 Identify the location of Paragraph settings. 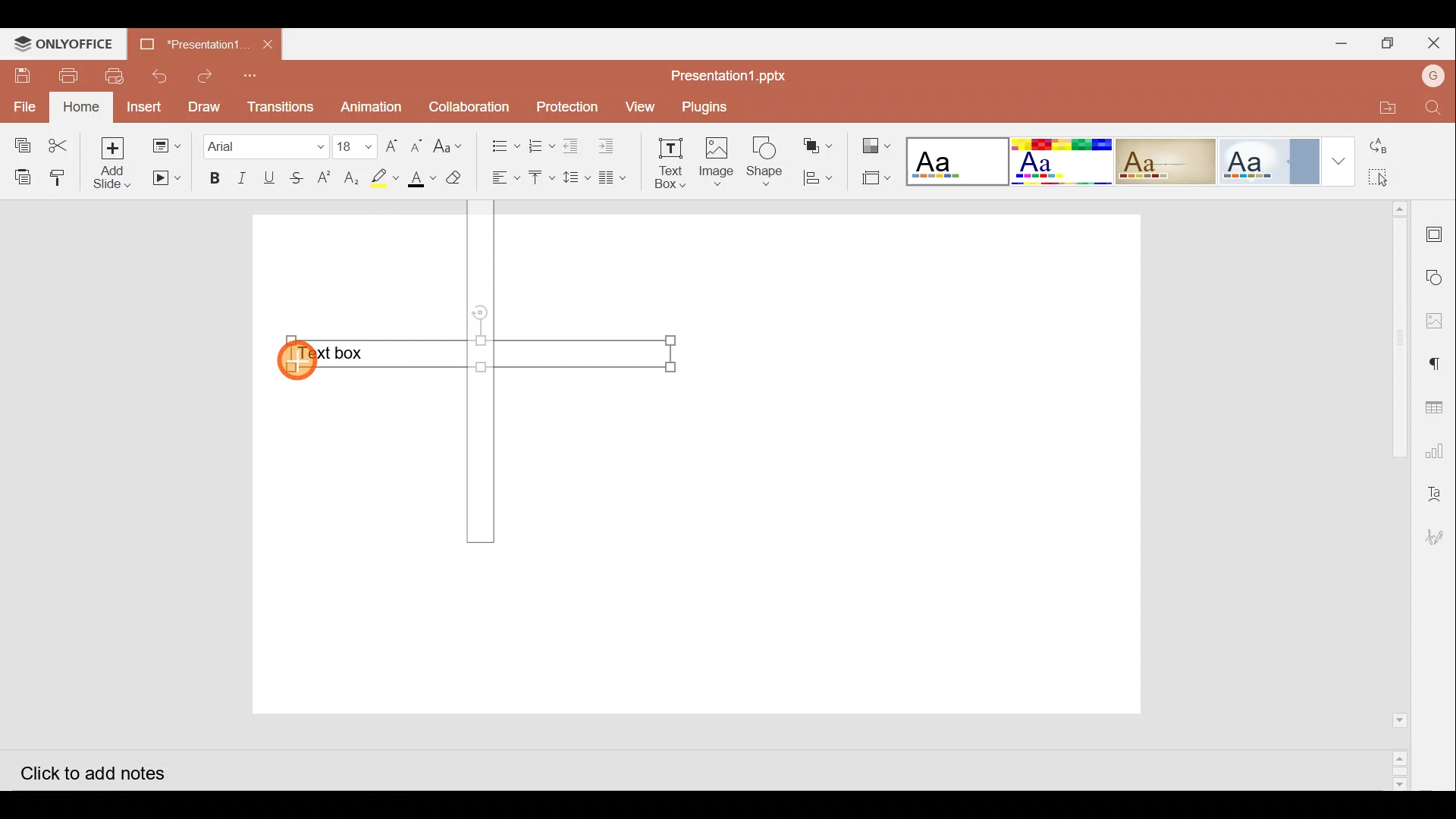
(1441, 362).